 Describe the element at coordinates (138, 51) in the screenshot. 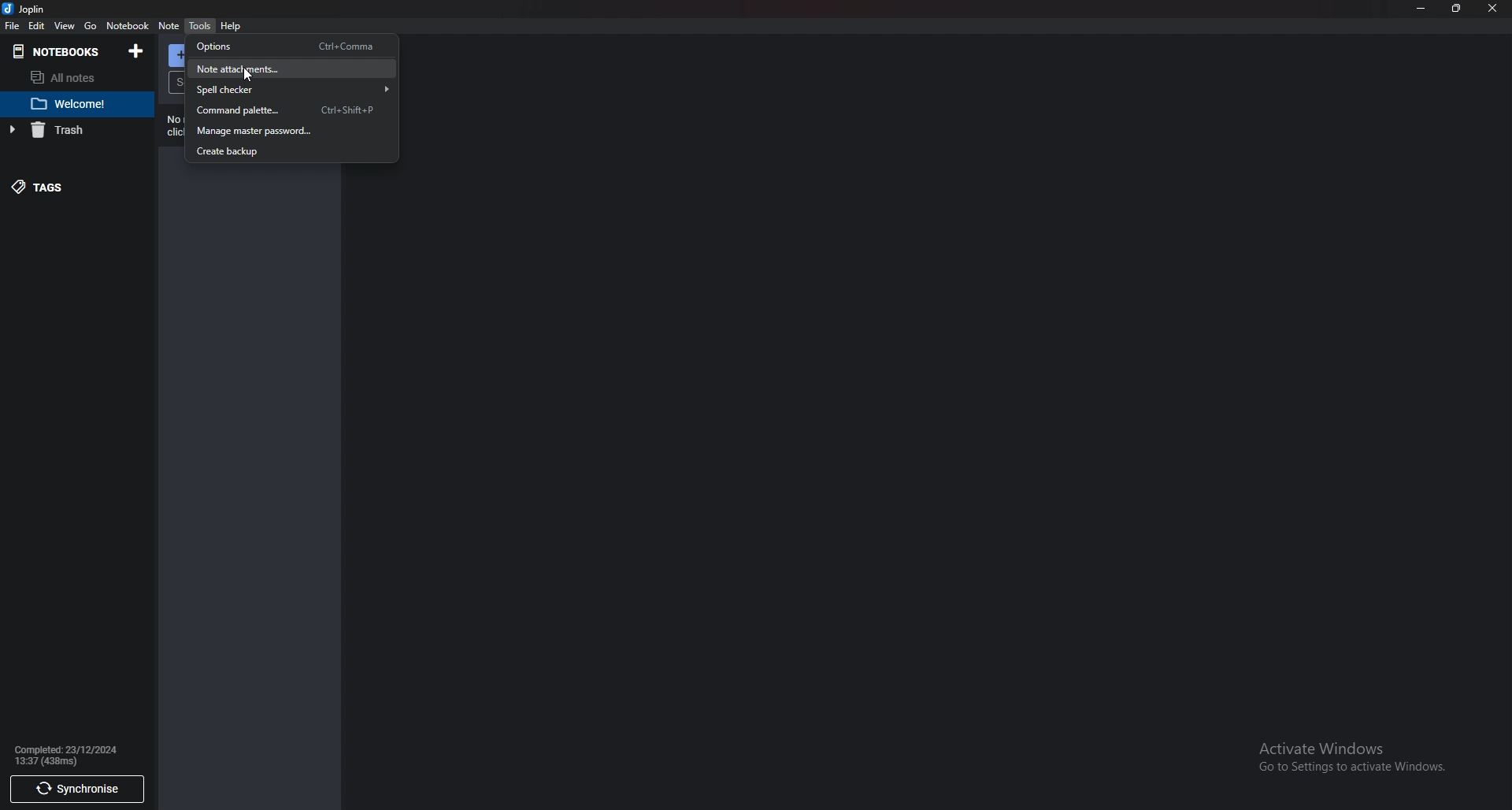

I see `Add notebooks` at that location.